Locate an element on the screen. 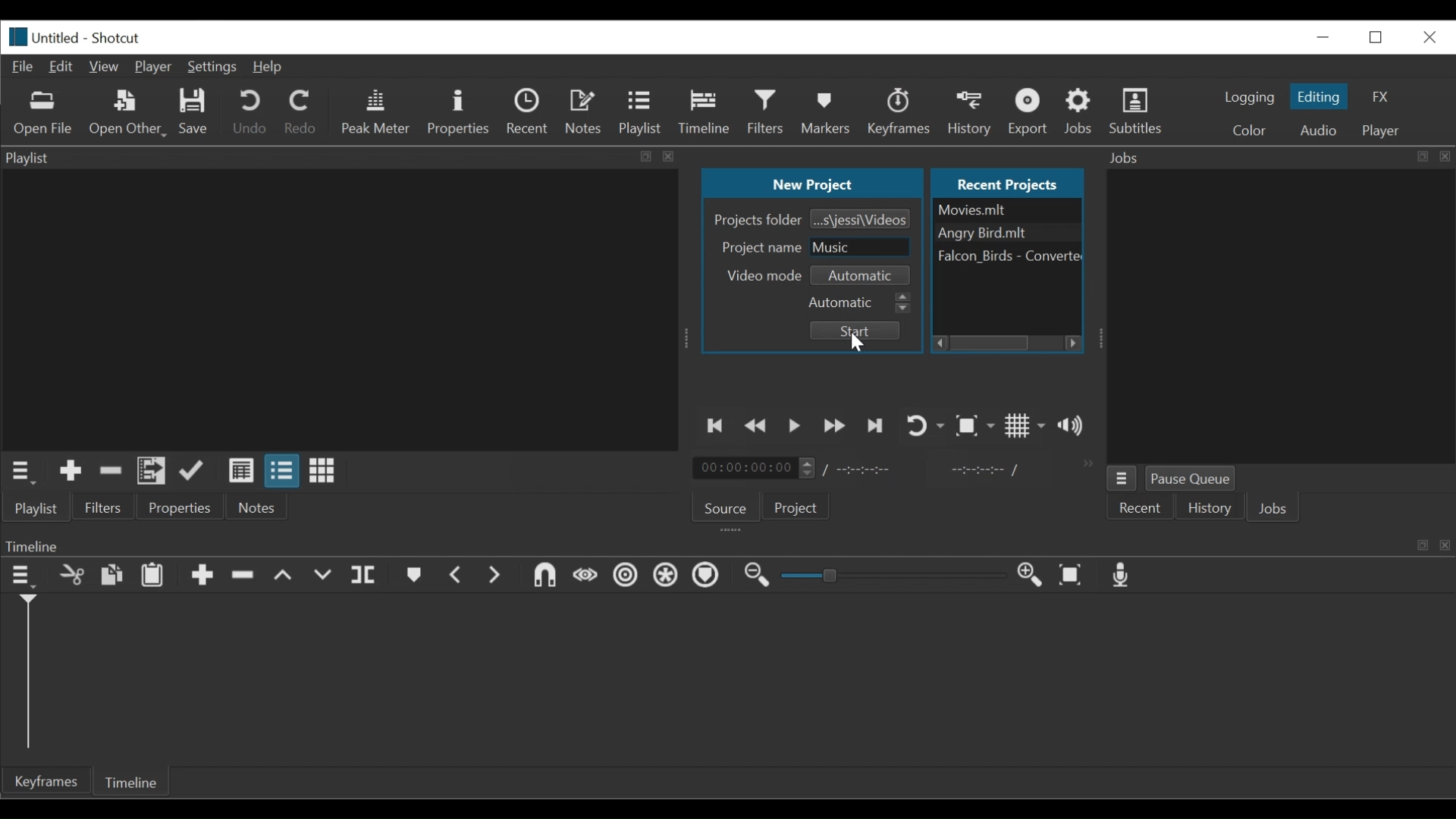  In point is located at coordinates (987, 469).